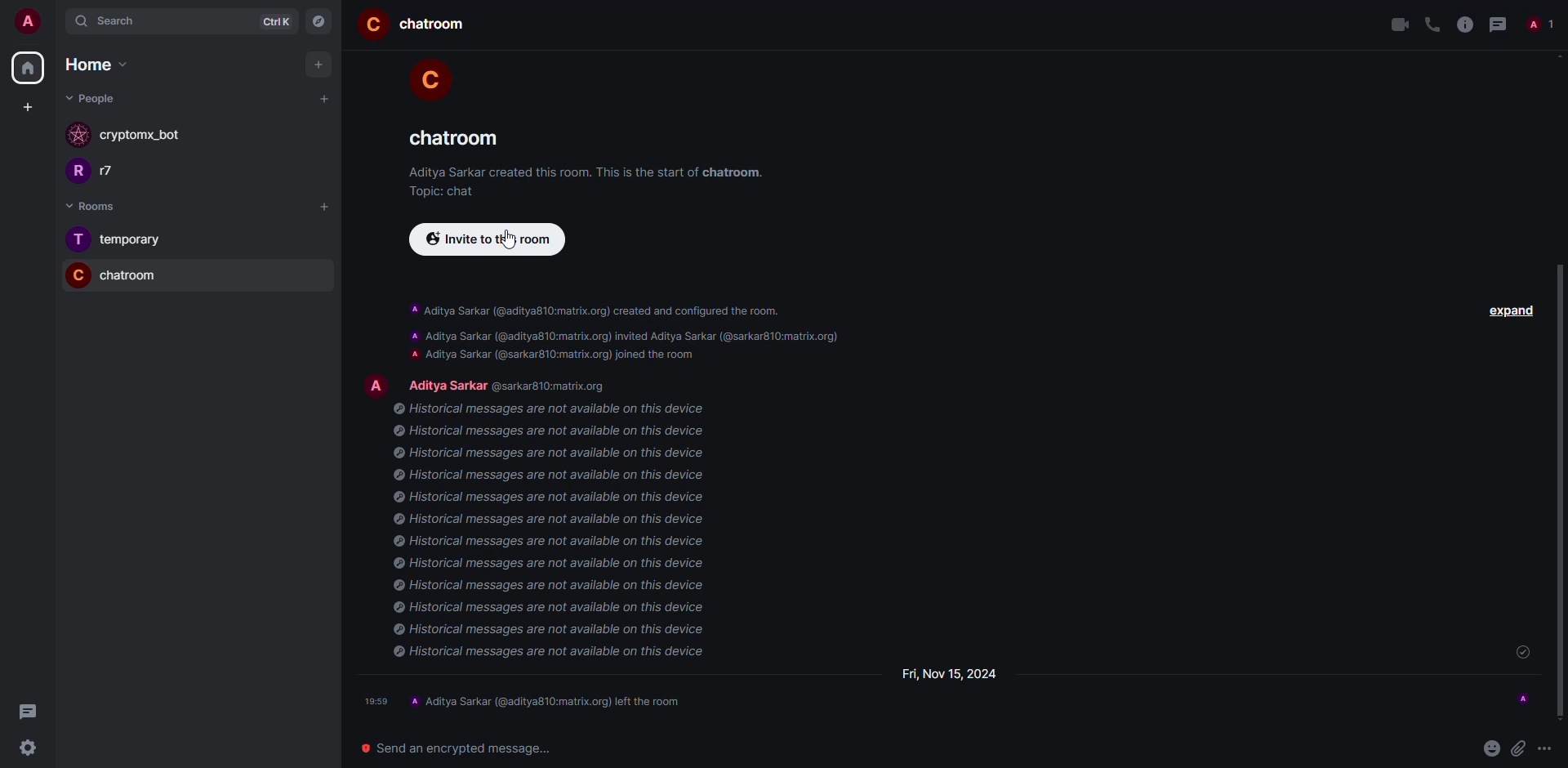  What do you see at coordinates (1514, 309) in the screenshot?
I see `expand` at bounding box center [1514, 309].